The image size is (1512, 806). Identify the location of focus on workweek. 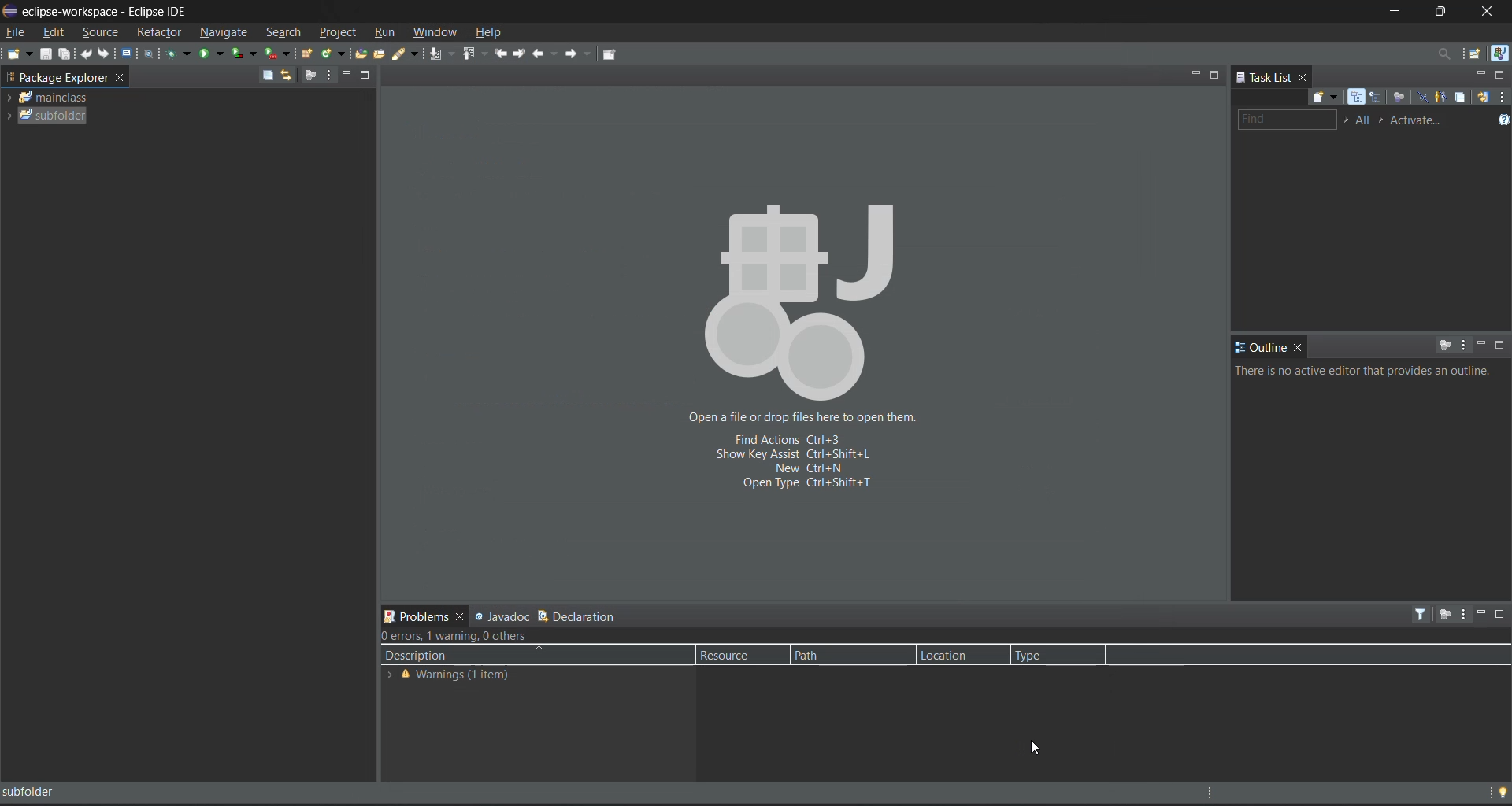
(1398, 96).